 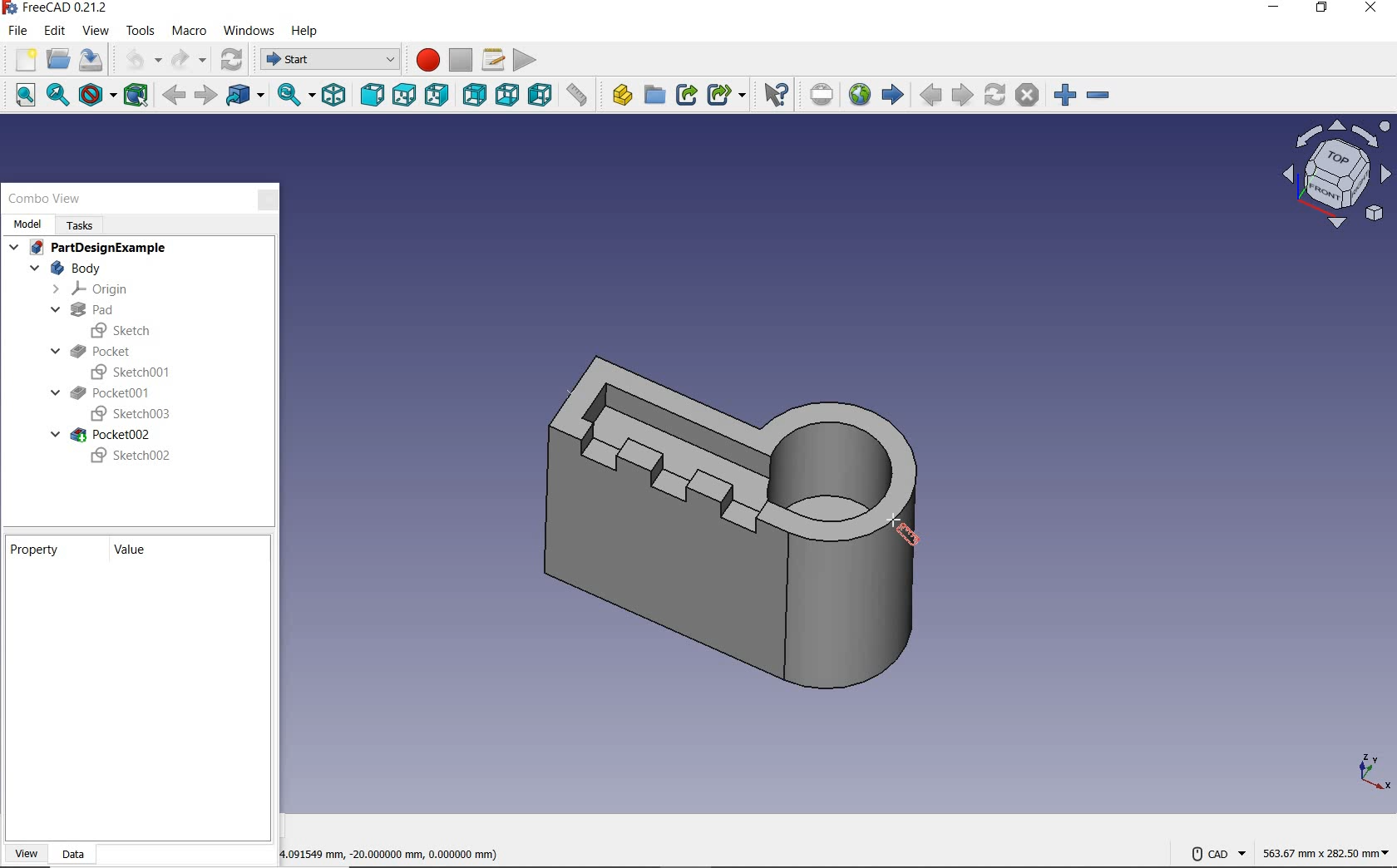 What do you see at coordinates (1325, 851) in the screenshot?
I see `563.67 mm x 282.50 mm (dimensions)` at bounding box center [1325, 851].